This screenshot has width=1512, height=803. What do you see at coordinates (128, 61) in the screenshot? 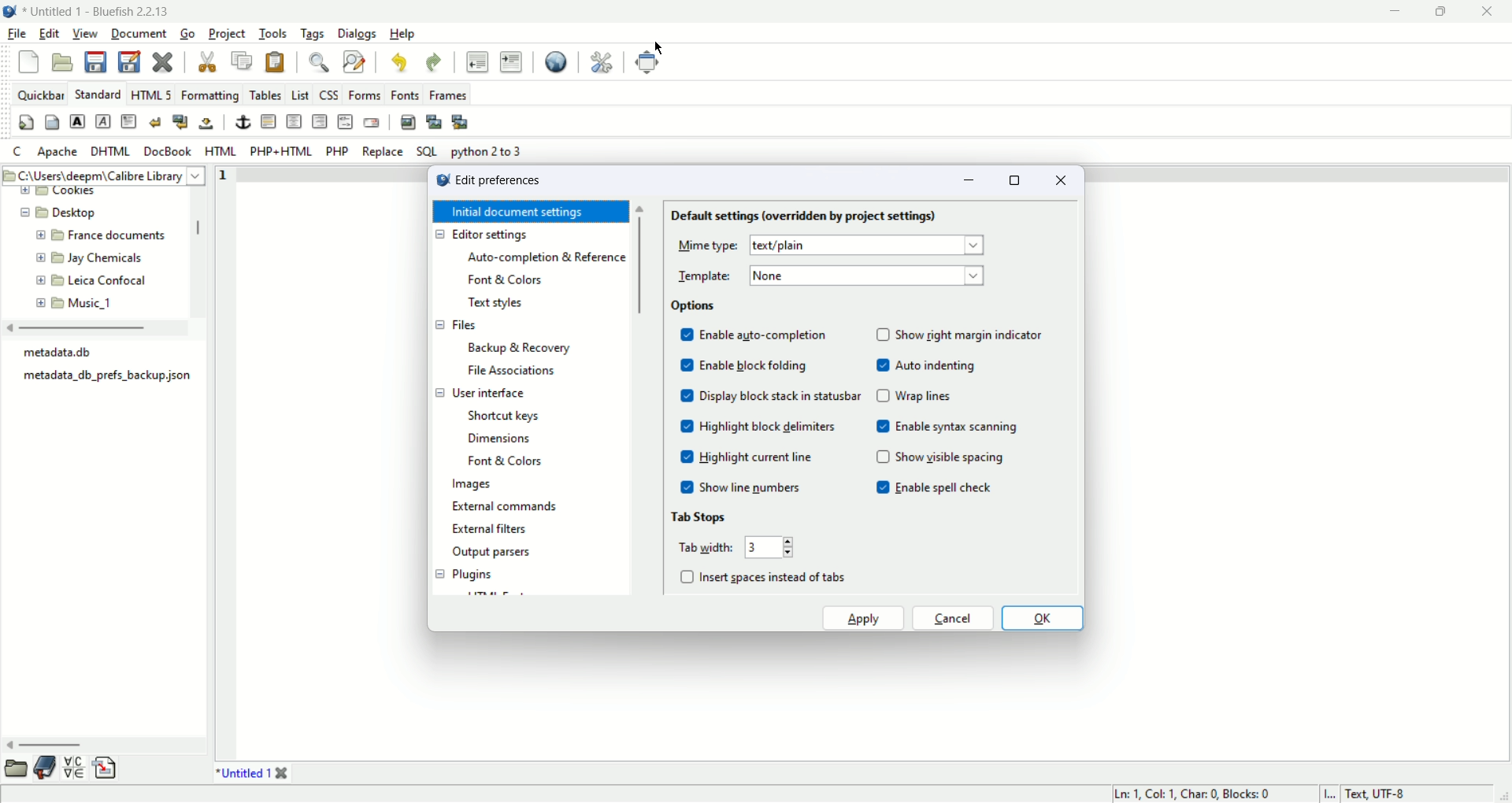
I see `save as` at bounding box center [128, 61].